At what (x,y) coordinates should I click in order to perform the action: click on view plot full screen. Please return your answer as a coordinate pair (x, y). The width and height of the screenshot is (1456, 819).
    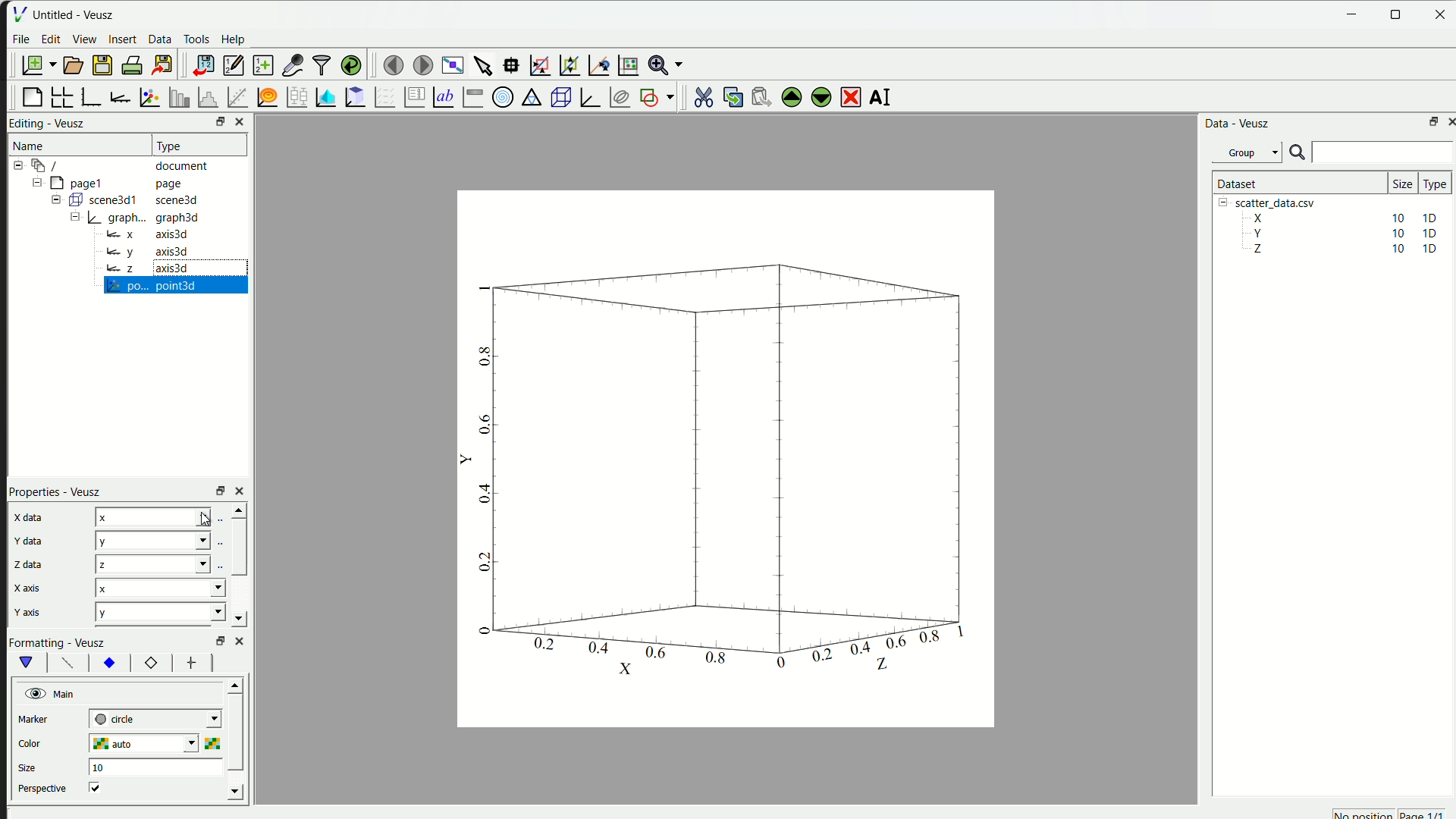
    Looking at the image, I should click on (450, 63).